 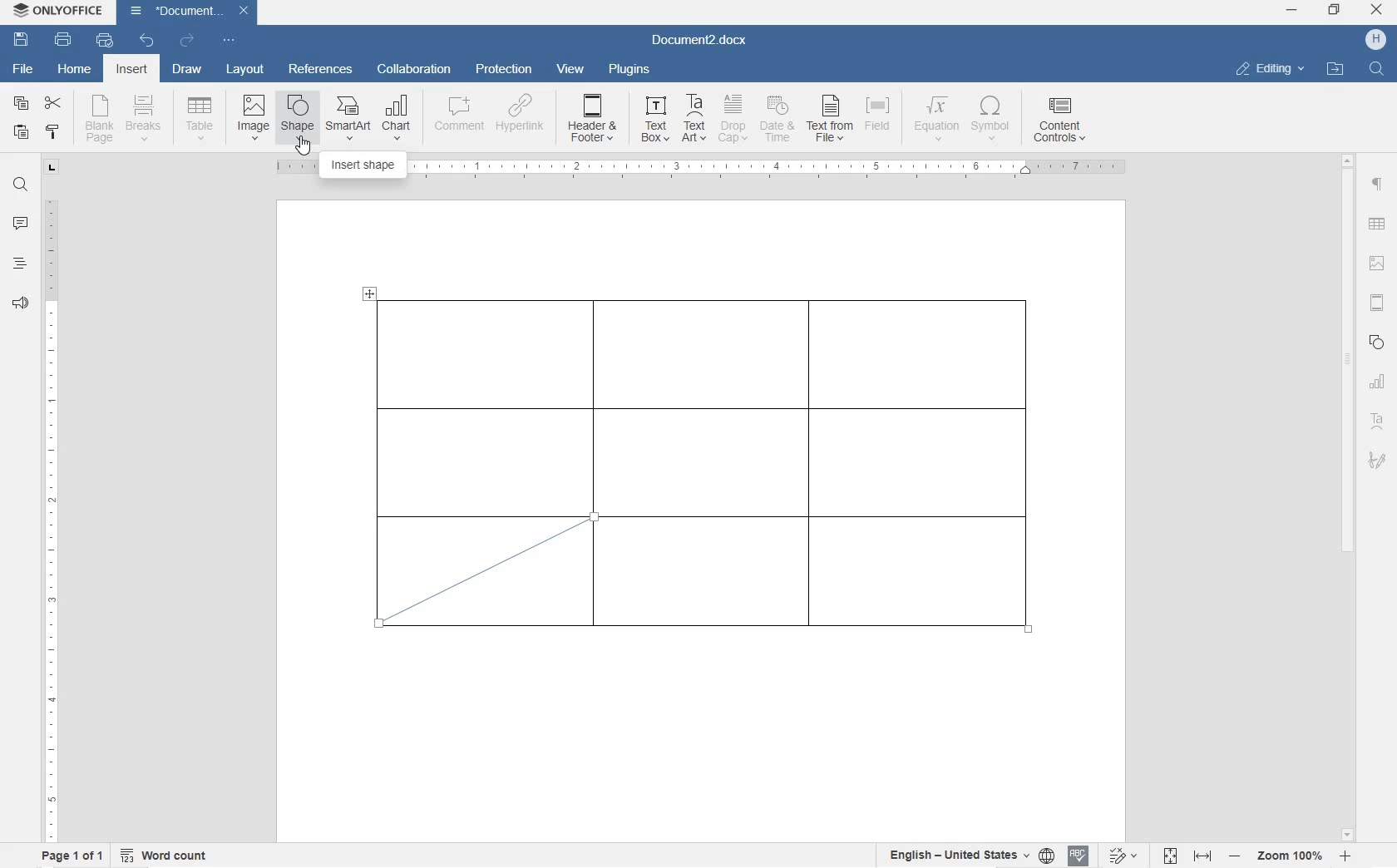 What do you see at coordinates (254, 116) in the screenshot?
I see `insert image` at bounding box center [254, 116].